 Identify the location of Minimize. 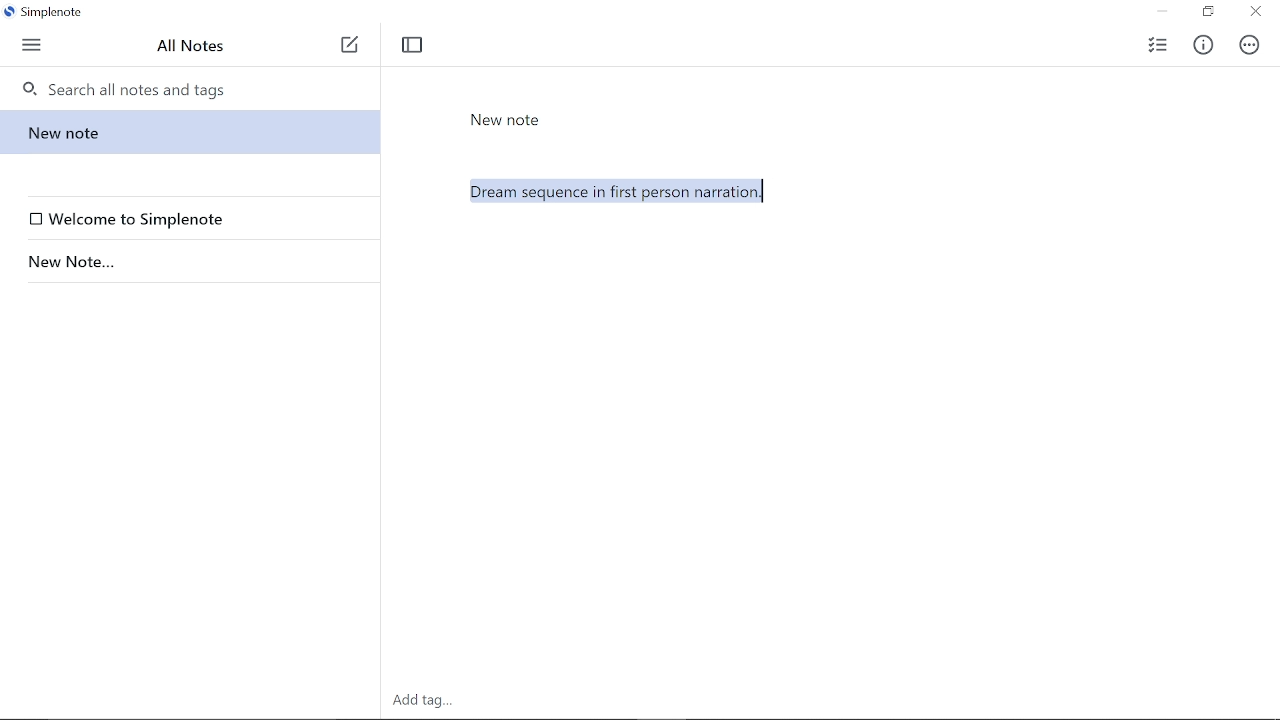
(1162, 12).